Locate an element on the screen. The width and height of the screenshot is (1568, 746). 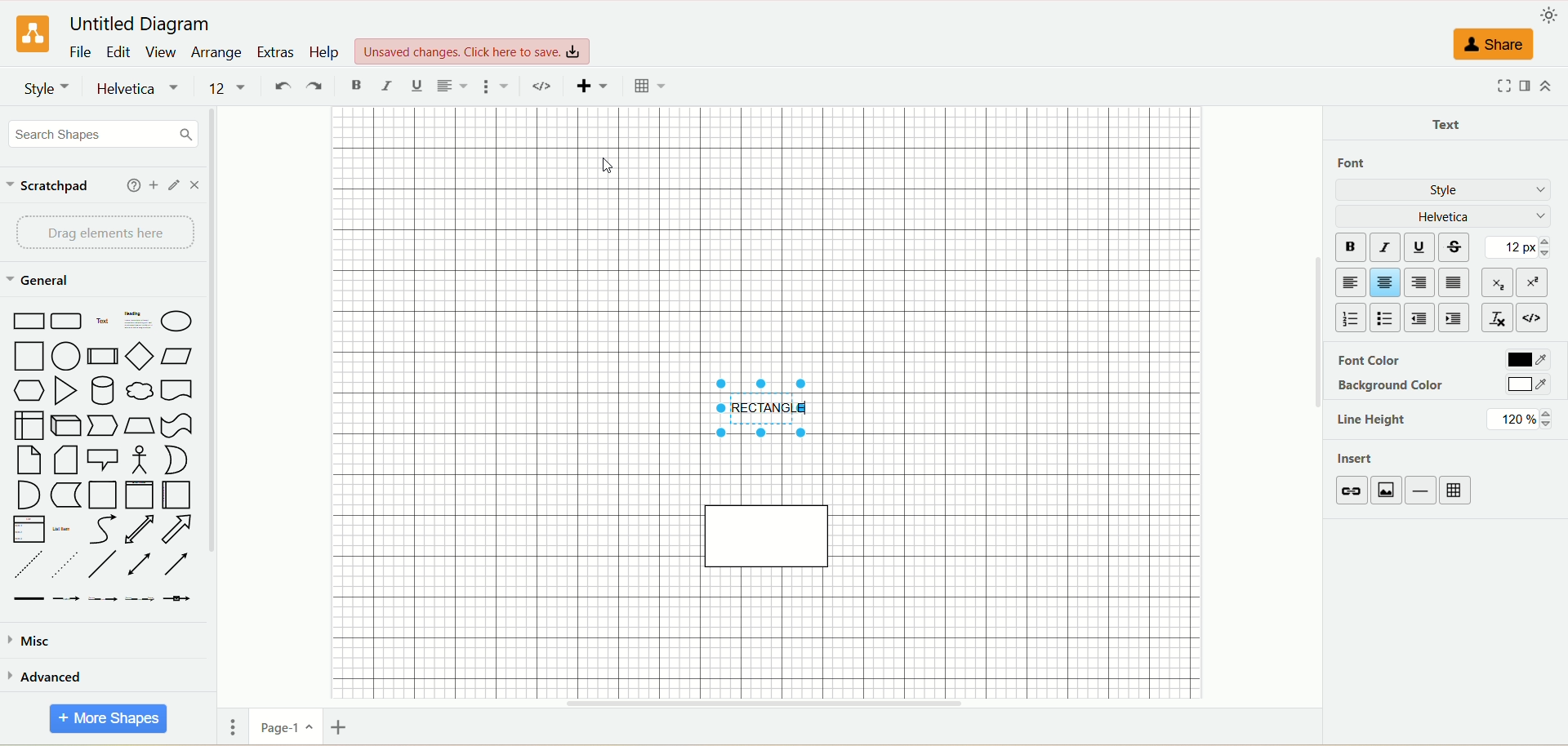
fullscreen is located at coordinates (1495, 87).